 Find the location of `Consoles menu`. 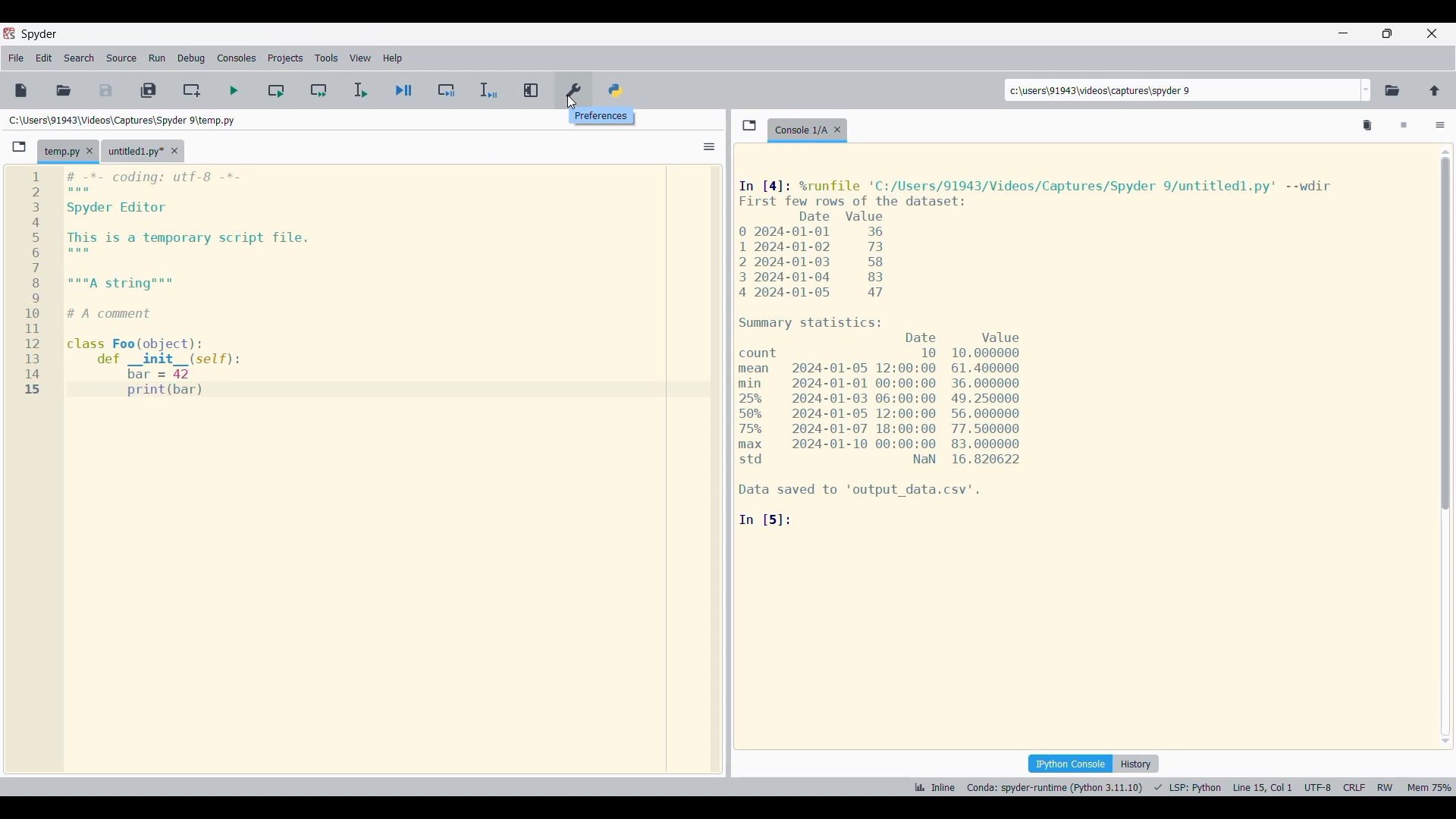

Consoles menu is located at coordinates (237, 58).